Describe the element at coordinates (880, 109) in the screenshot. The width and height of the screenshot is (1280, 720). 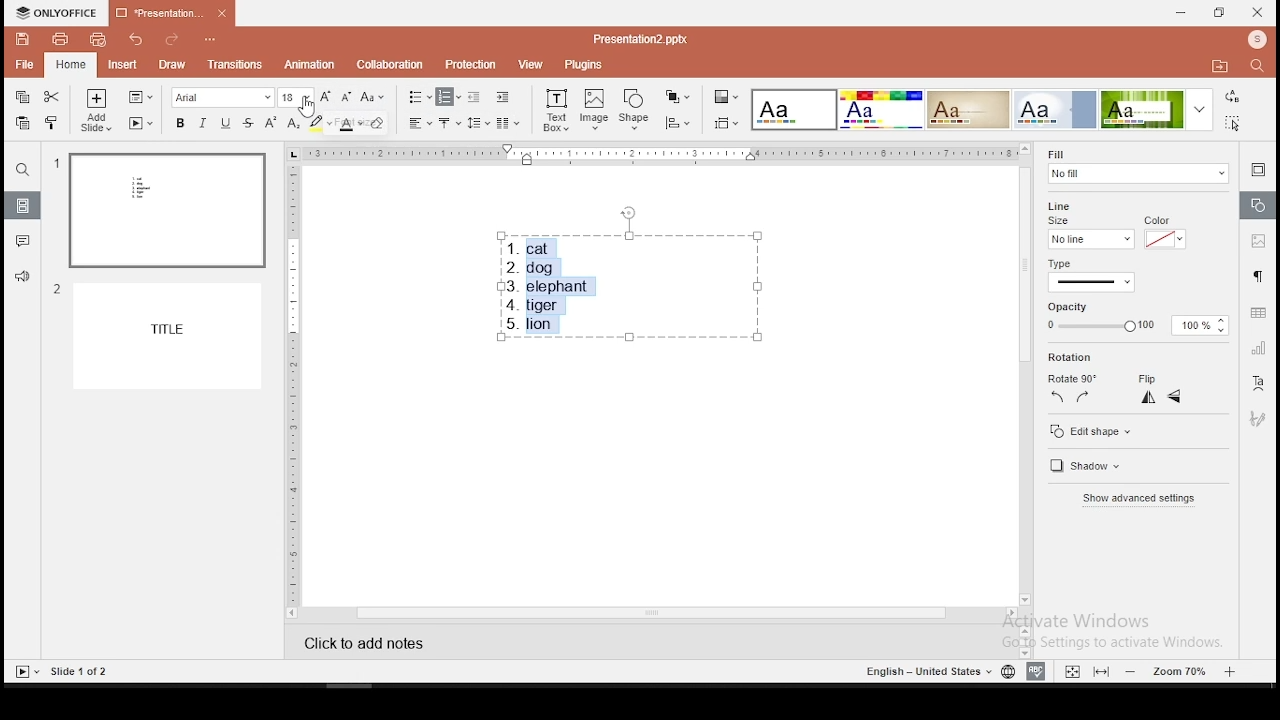
I see `theme ` at that location.